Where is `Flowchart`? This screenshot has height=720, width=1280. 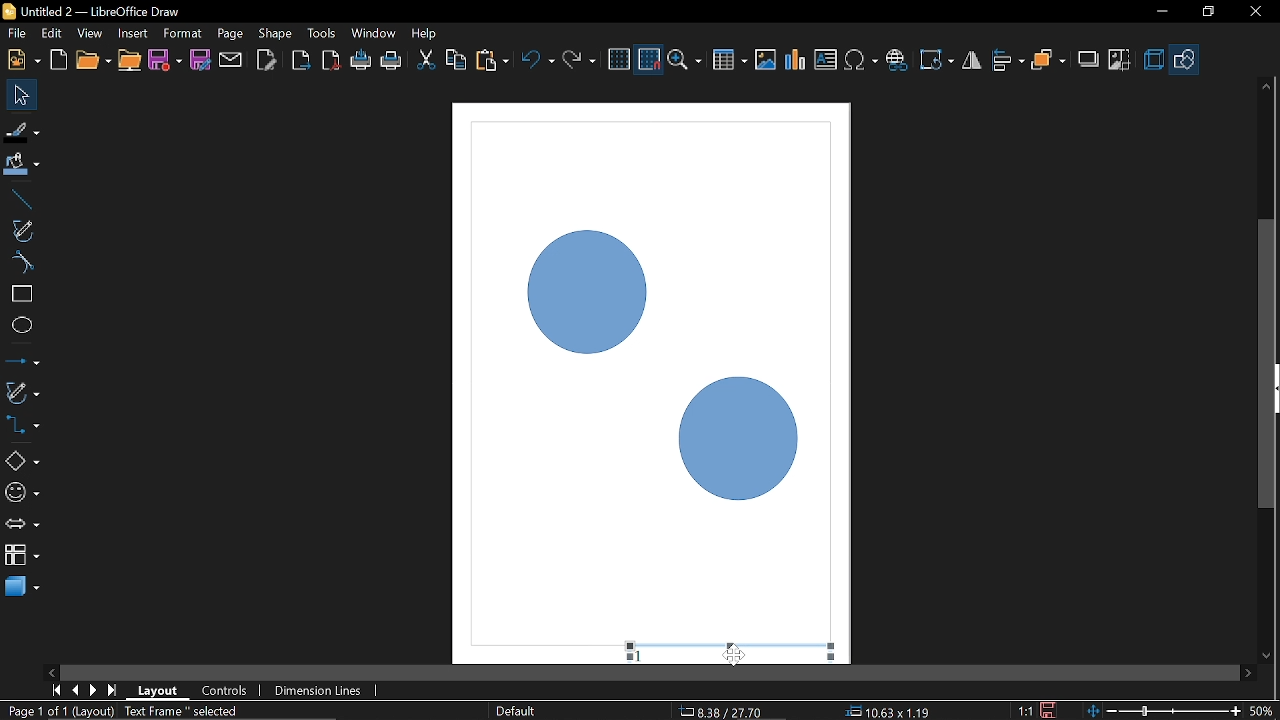
Flowchart is located at coordinates (22, 552).